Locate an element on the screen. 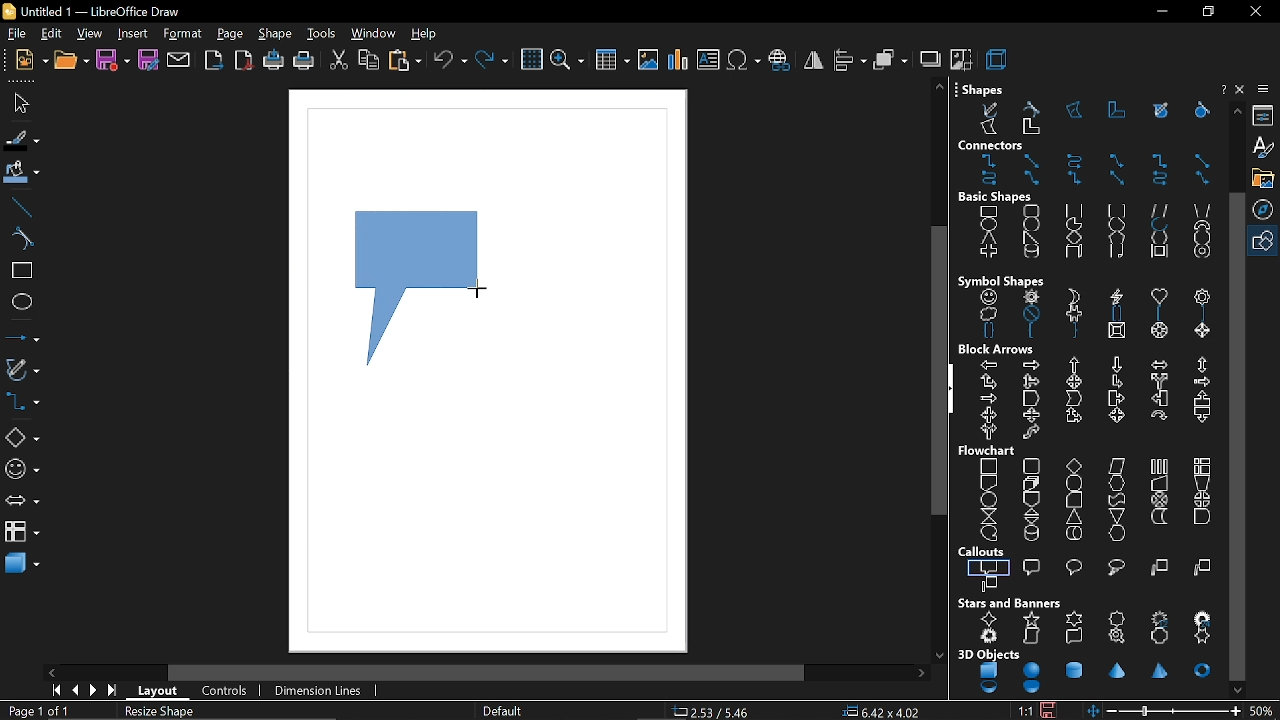 Image resolution: width=1280 pixels, height=720 pixels. right angle triangle is located at coordinates (1029, 238).